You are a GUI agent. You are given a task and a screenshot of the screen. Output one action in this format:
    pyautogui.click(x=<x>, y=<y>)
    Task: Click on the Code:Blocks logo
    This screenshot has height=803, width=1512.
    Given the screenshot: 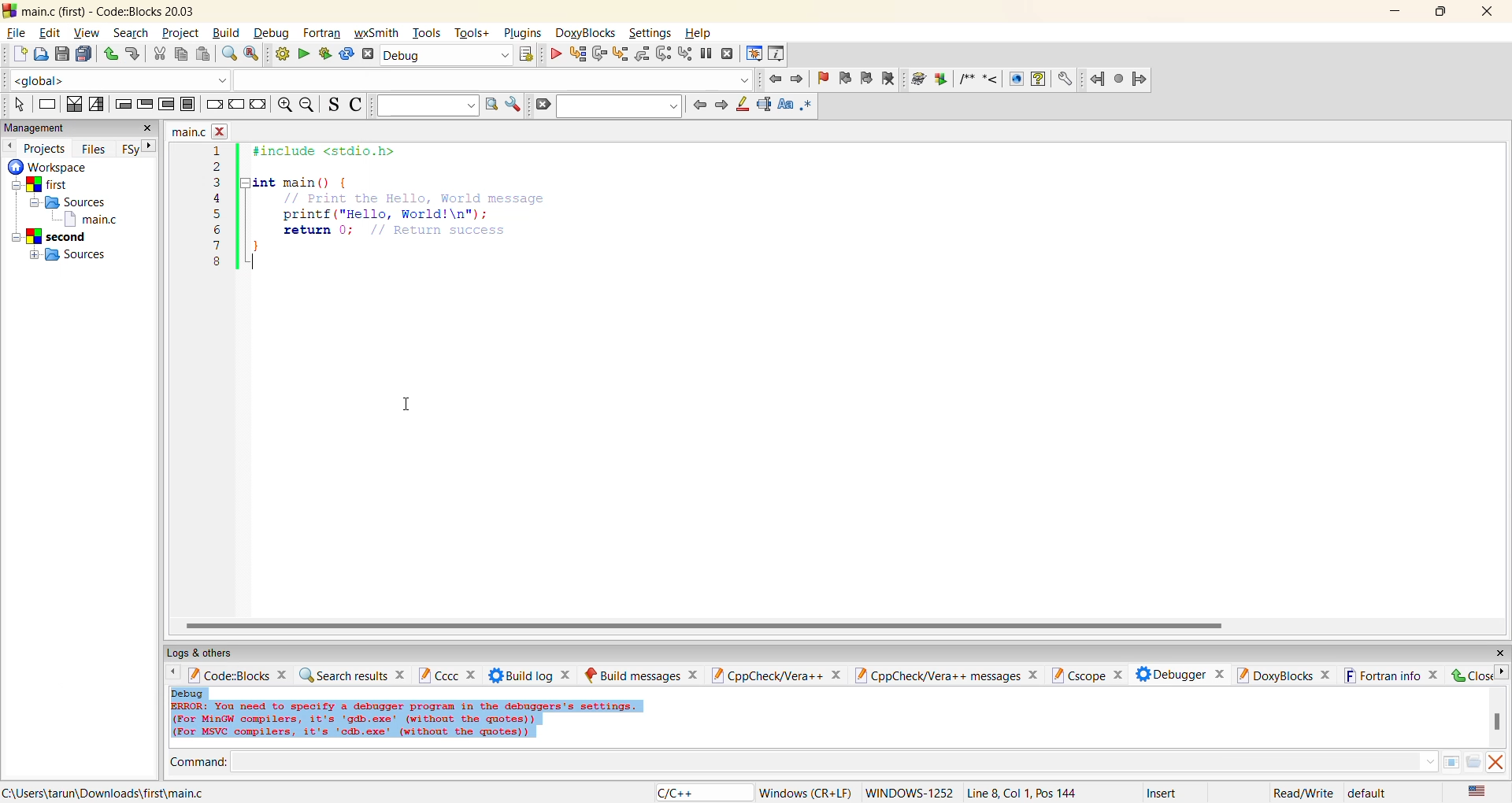 What is the action you would take?
    pyautogui.click(x=9, y=9)
    